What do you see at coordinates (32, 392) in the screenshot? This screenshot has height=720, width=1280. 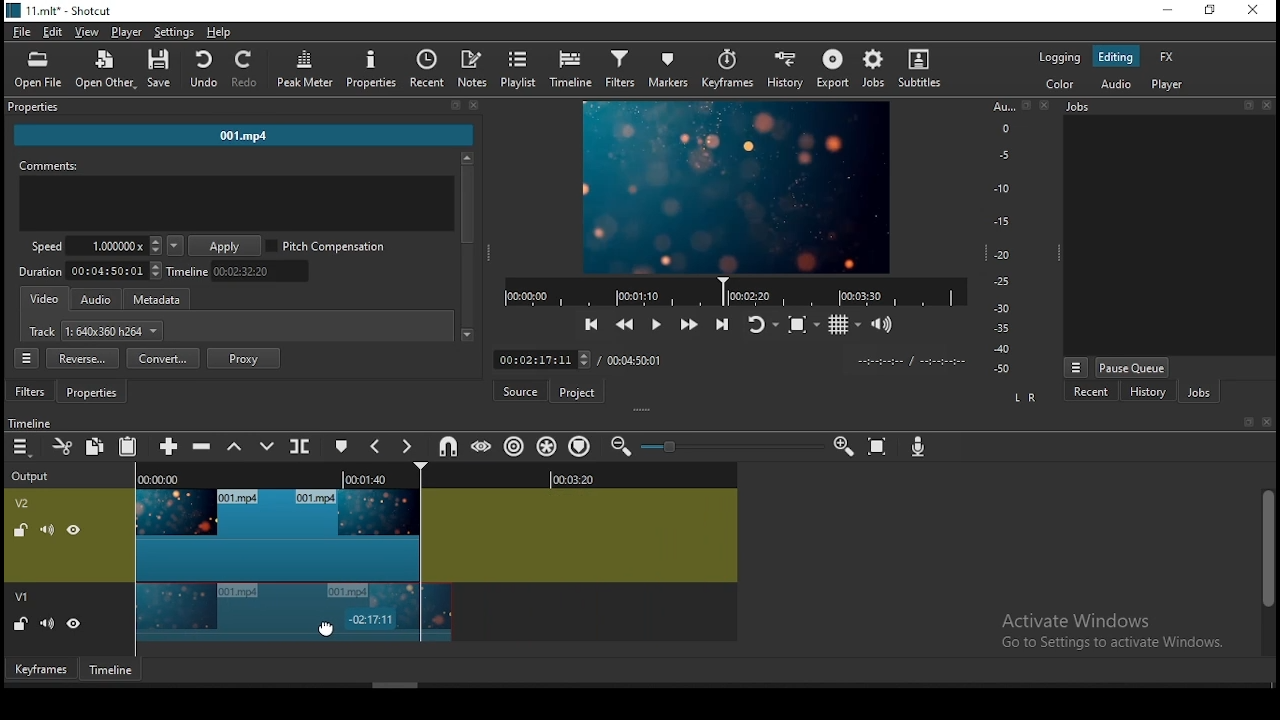 I see `filters` at bounding box center [32, 392].